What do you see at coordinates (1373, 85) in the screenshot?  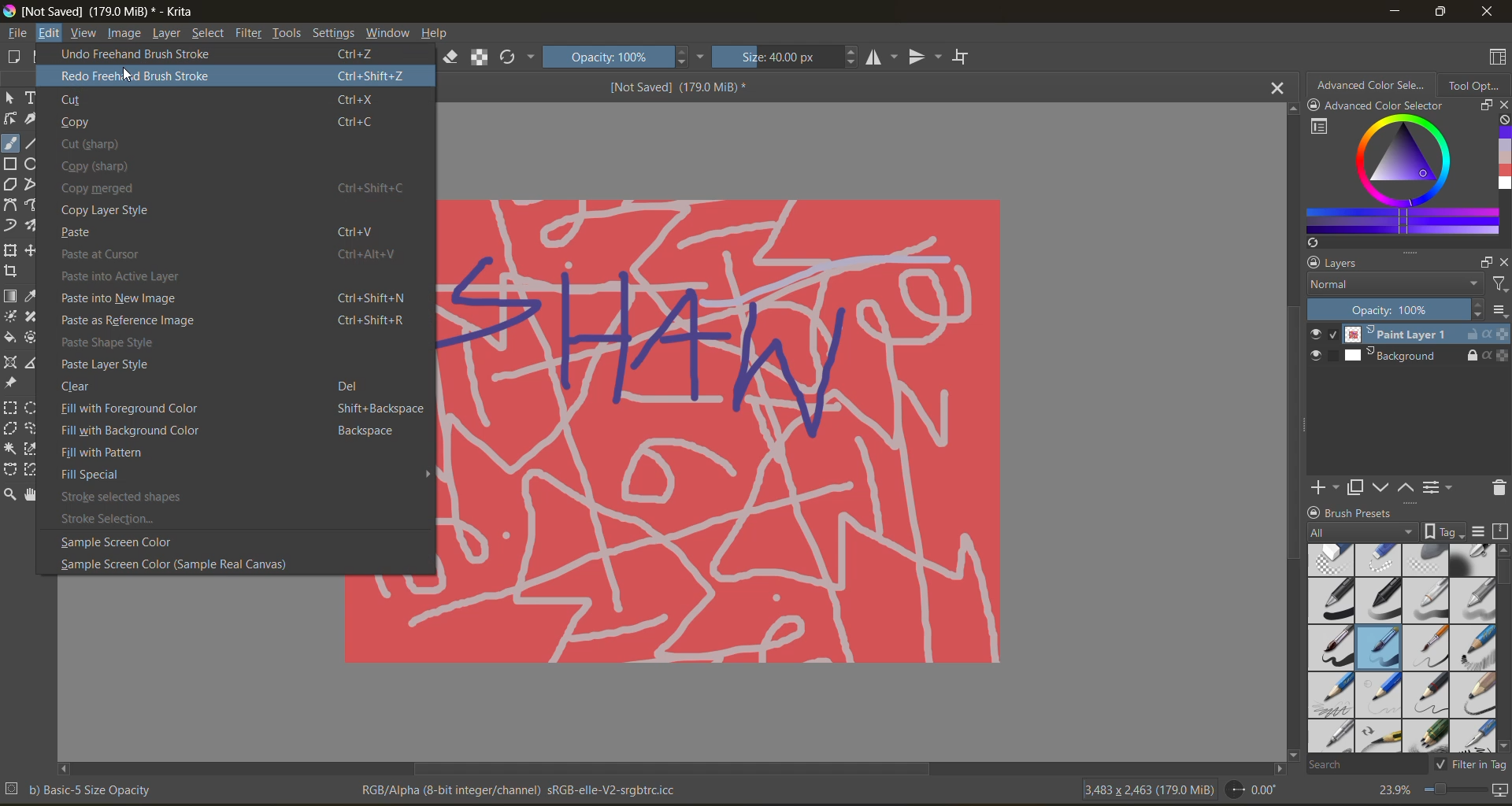 I see `advanced color selector` at bounding box center [1373, 85].